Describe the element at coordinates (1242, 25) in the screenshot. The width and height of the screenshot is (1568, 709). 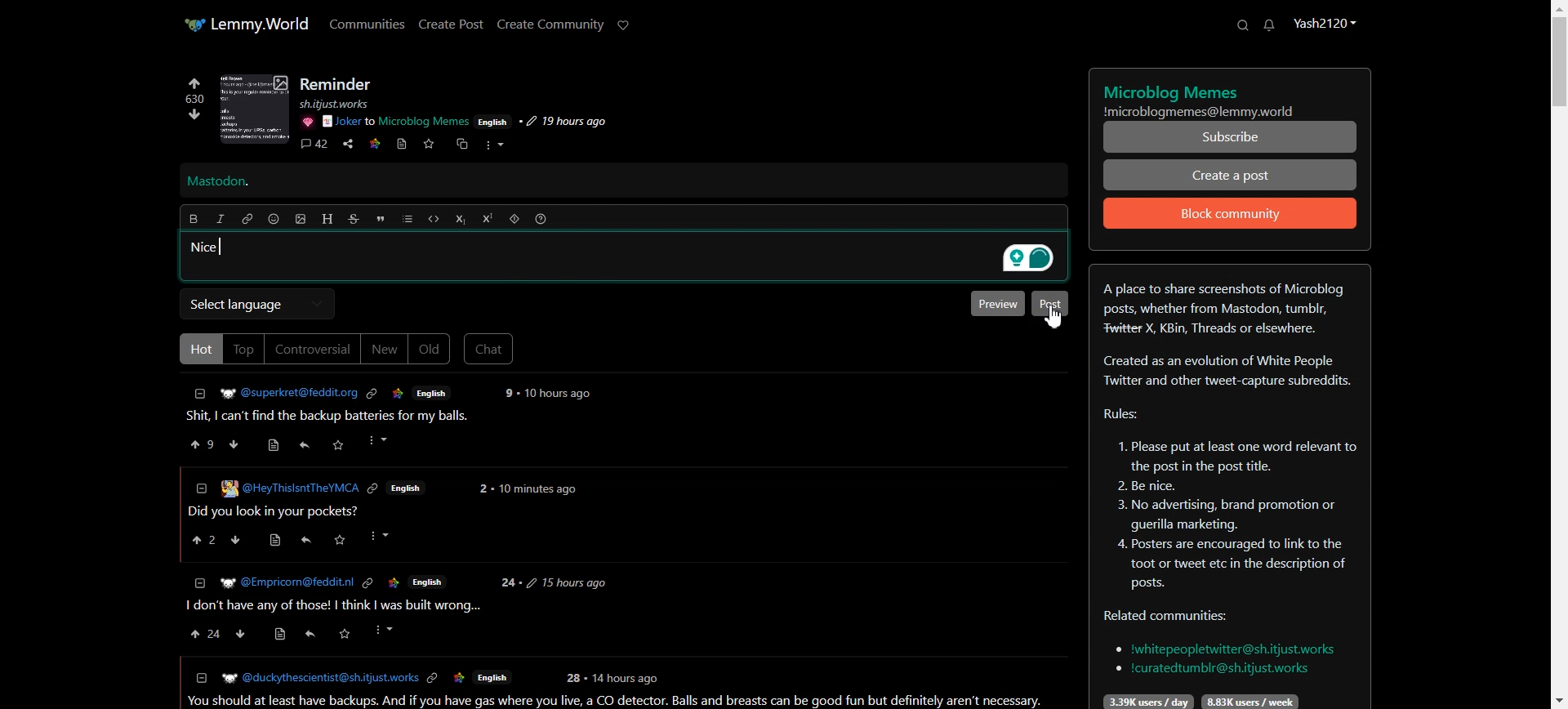
I see `Search` at that location.